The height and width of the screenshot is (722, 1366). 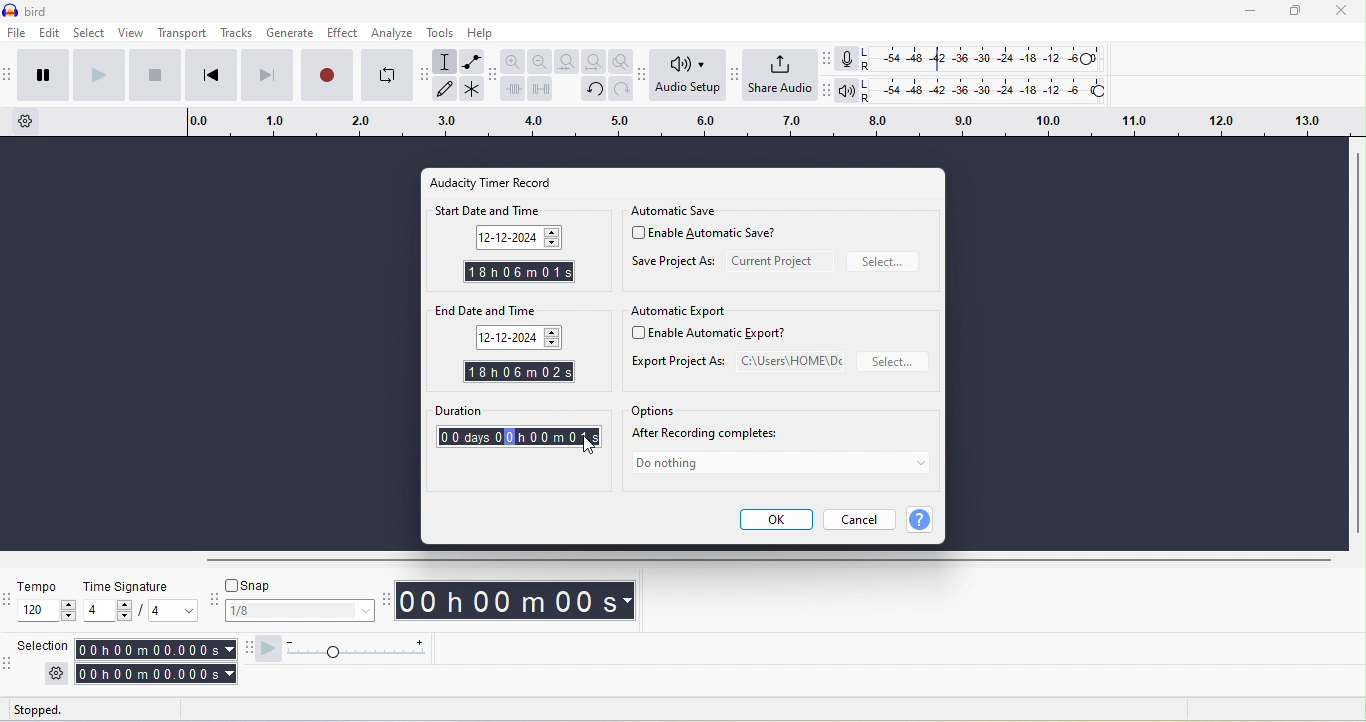 What do you see at coordinates (862, 519) in the screenshot?
I see `cancel` at bounding box center [862, 519].